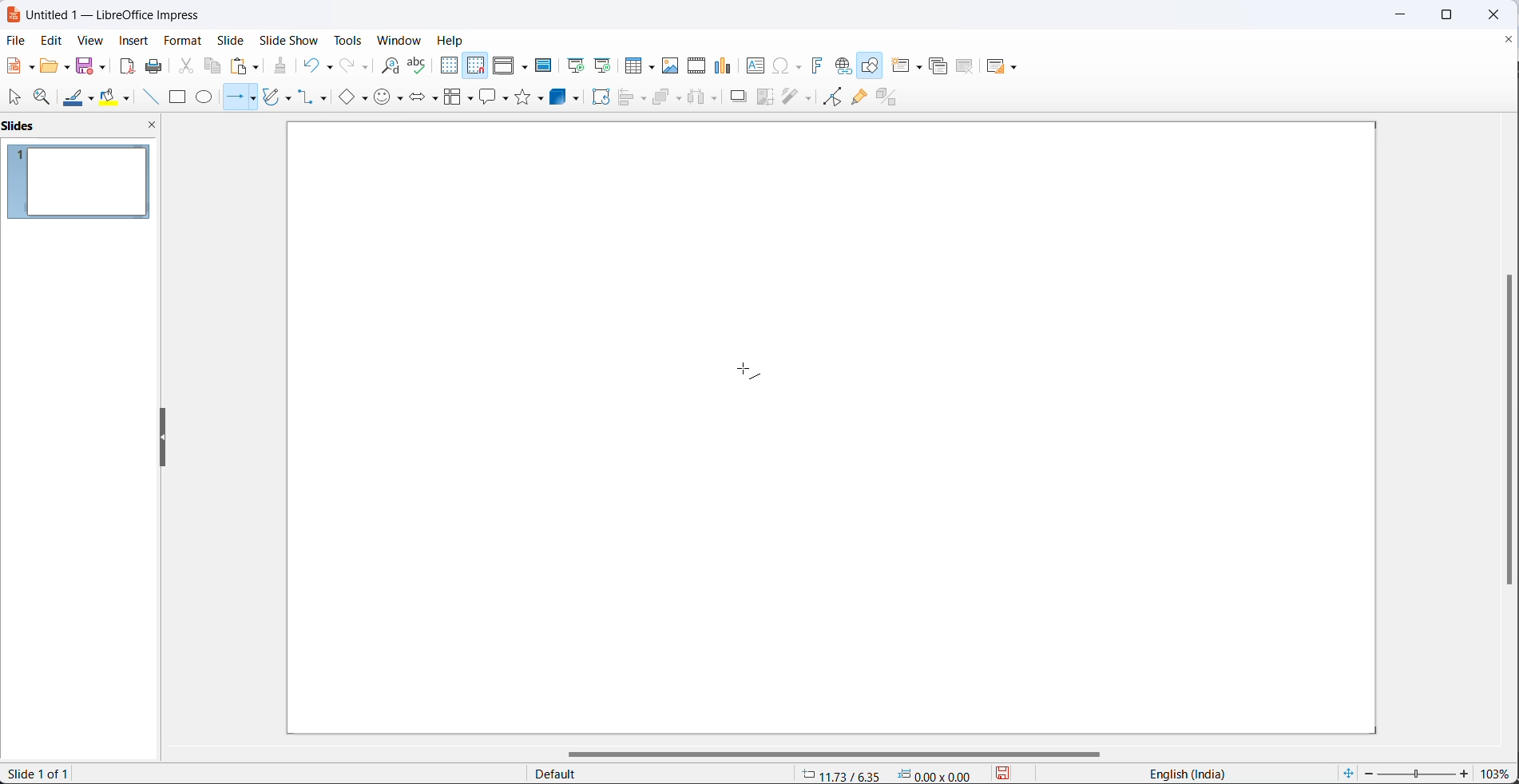 The width and height of the screenshot is (1519, 784). What do you see at coordinates (1418, 771) in the screenshot?
I see `zoom slider` at bounding box center [1418, 771].